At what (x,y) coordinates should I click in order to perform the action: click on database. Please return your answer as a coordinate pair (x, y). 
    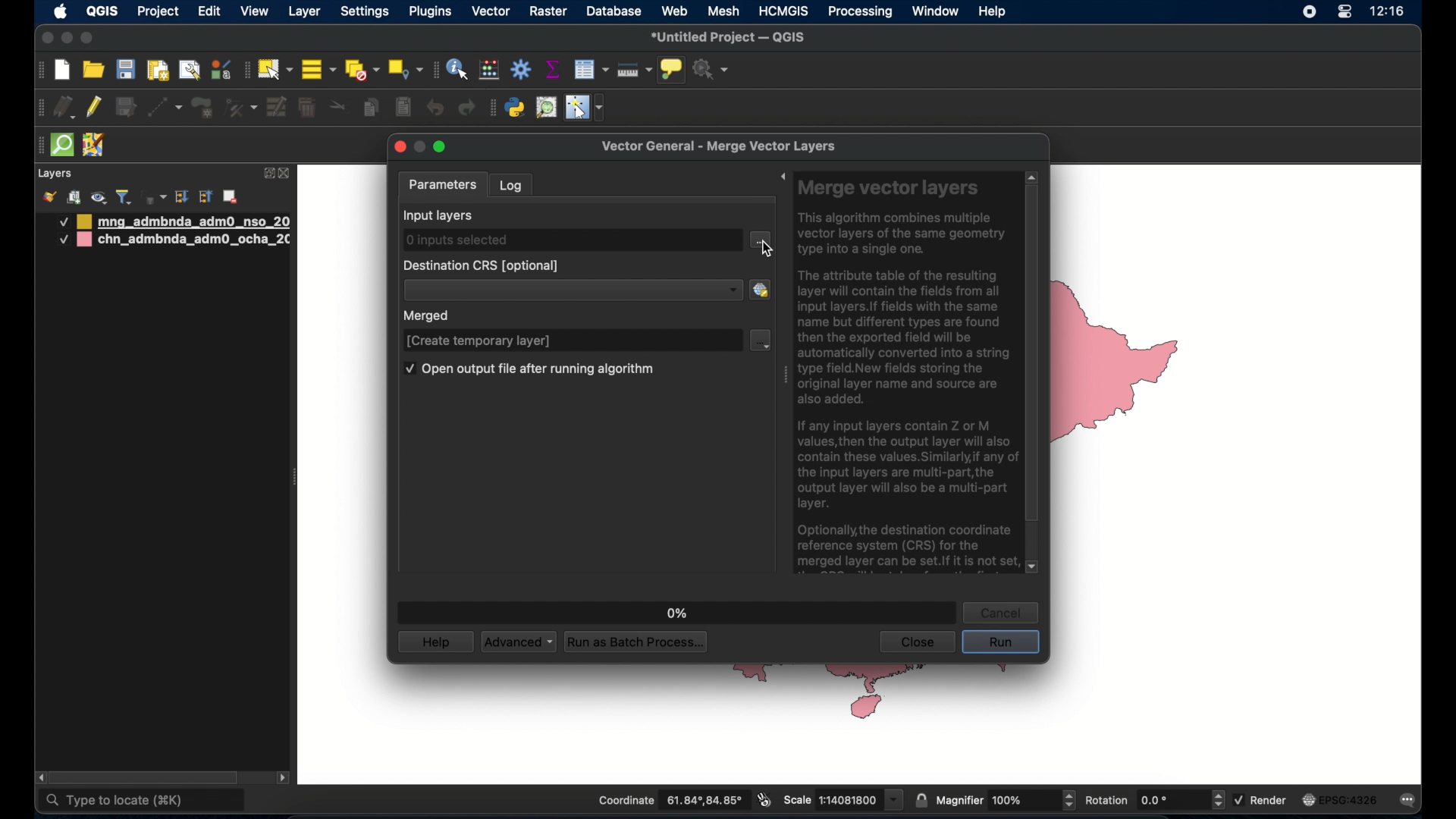
    Looking at the image, I should click on (614, 12).